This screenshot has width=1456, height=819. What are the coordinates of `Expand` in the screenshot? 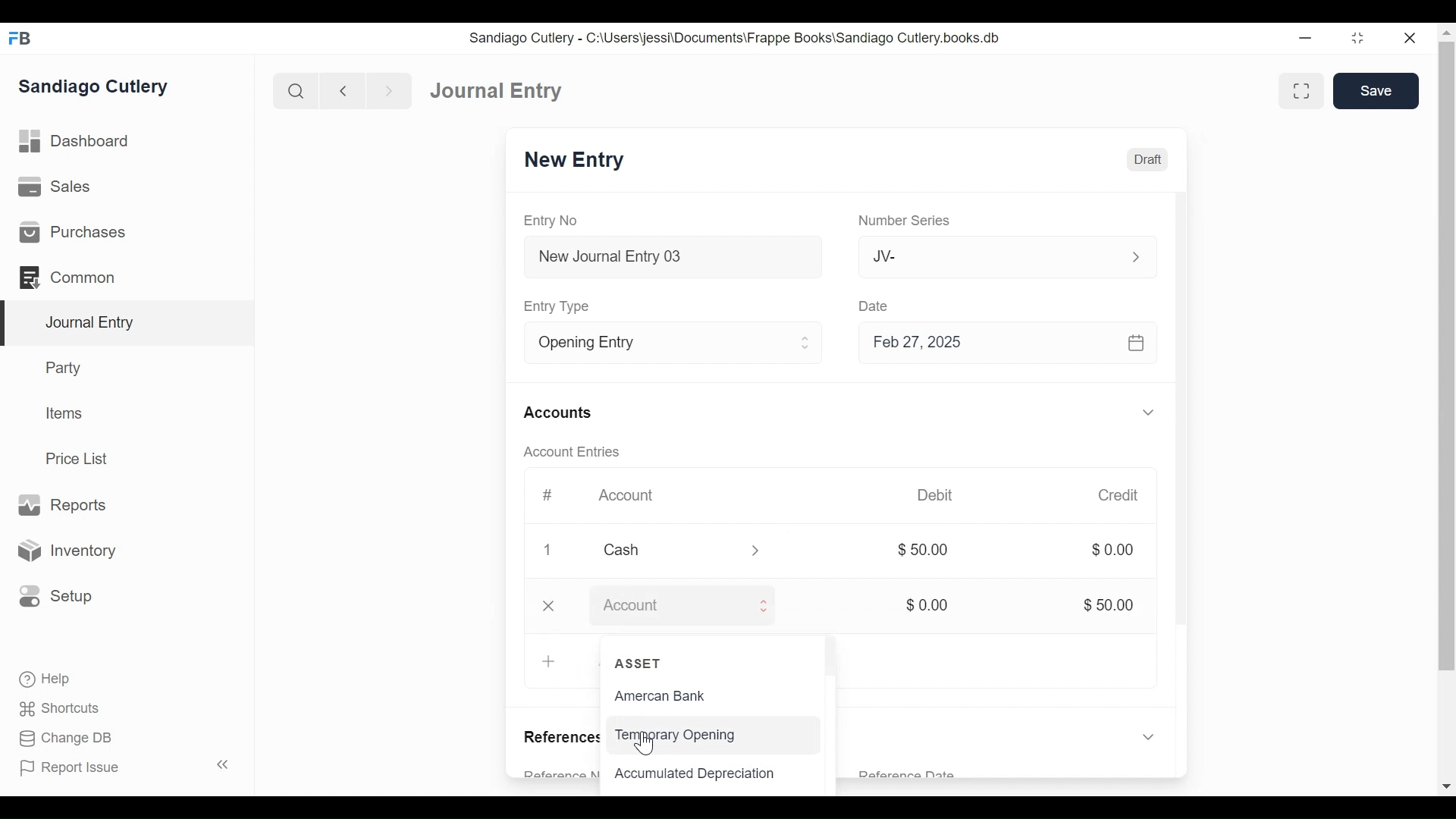 It's located at (765, 605).